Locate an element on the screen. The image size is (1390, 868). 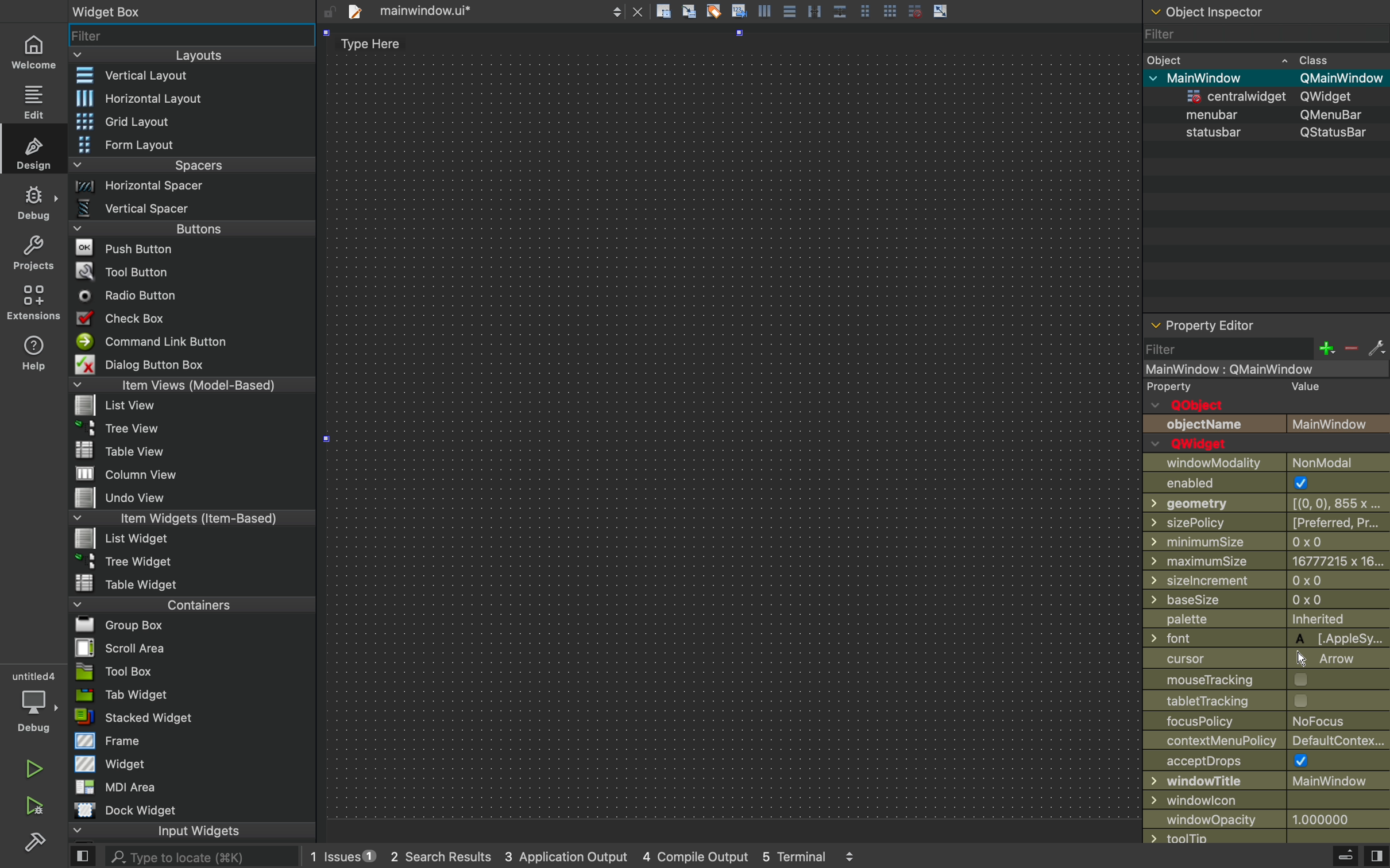
check box is located at coordinates (191, 316).